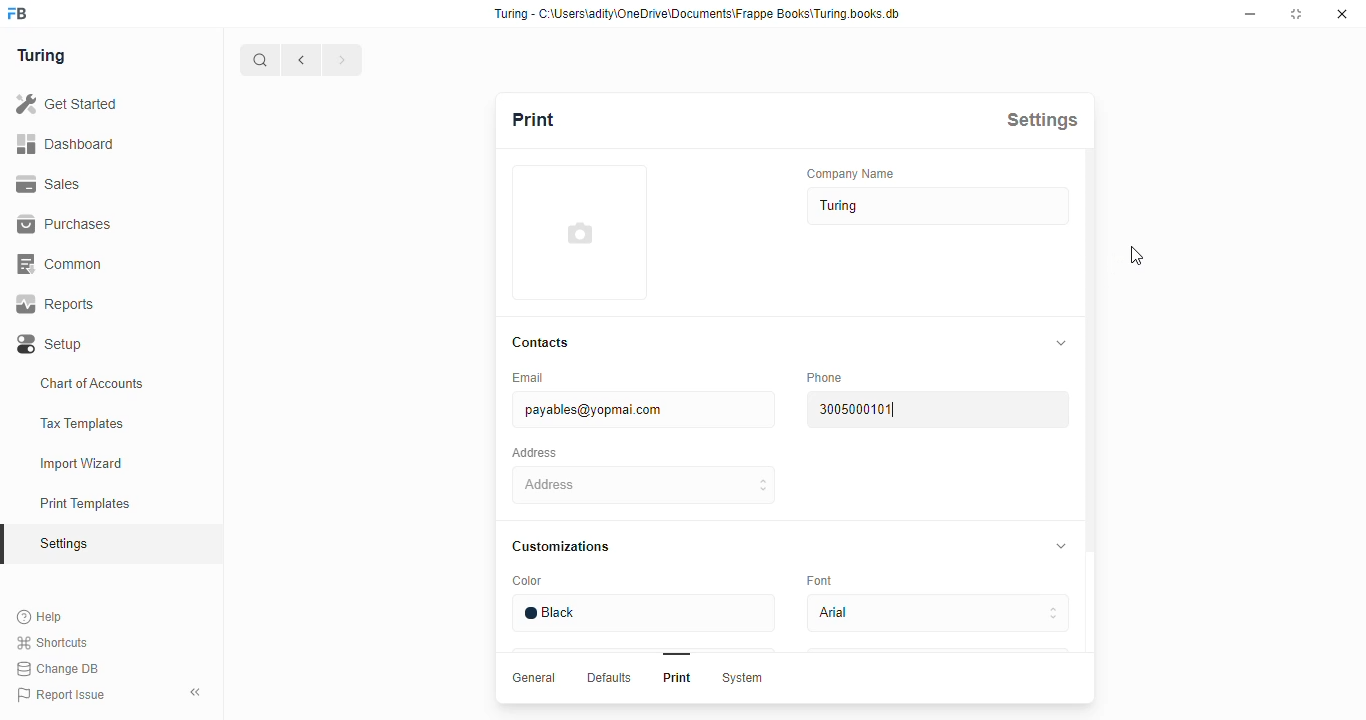  Describe the element at coordinates (92, 463) in the screenshot. I see `Import Wizard` at that location.